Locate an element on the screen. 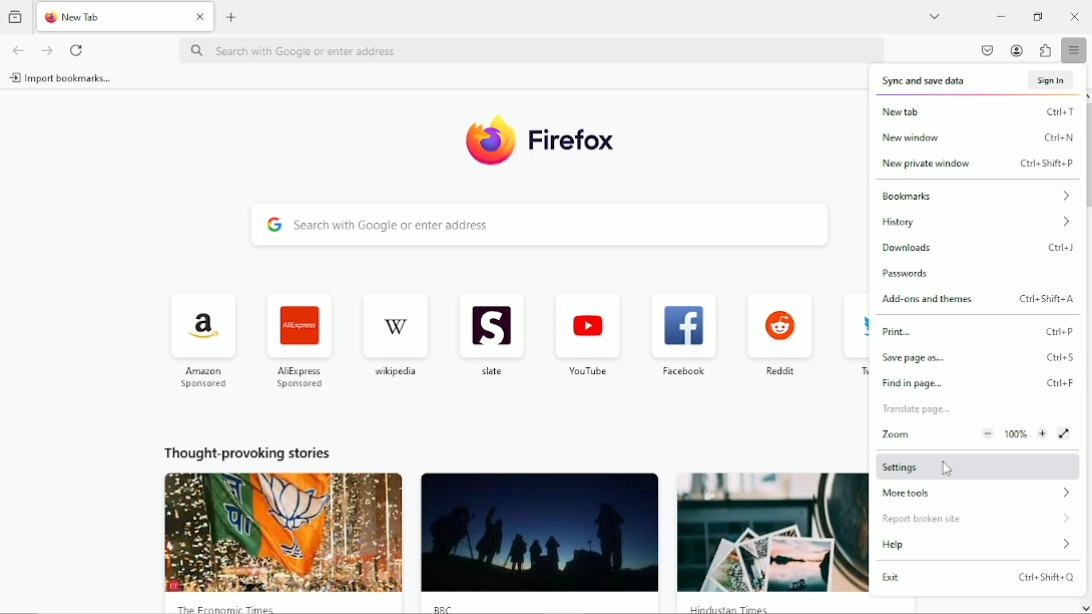  go forward is located at coordinates (47, 50).